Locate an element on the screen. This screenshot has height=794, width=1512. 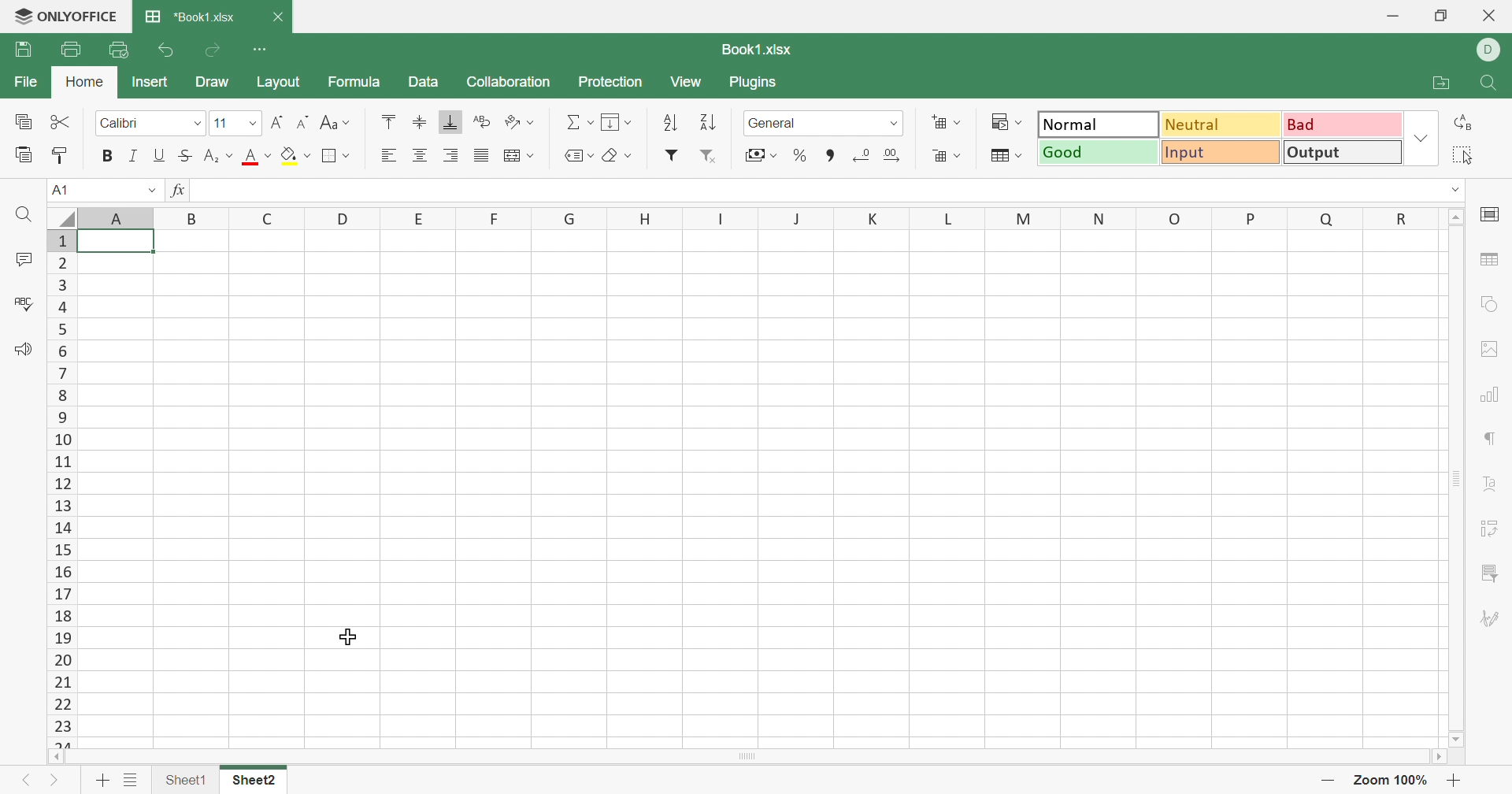
E is located at coordinates (417, 217).